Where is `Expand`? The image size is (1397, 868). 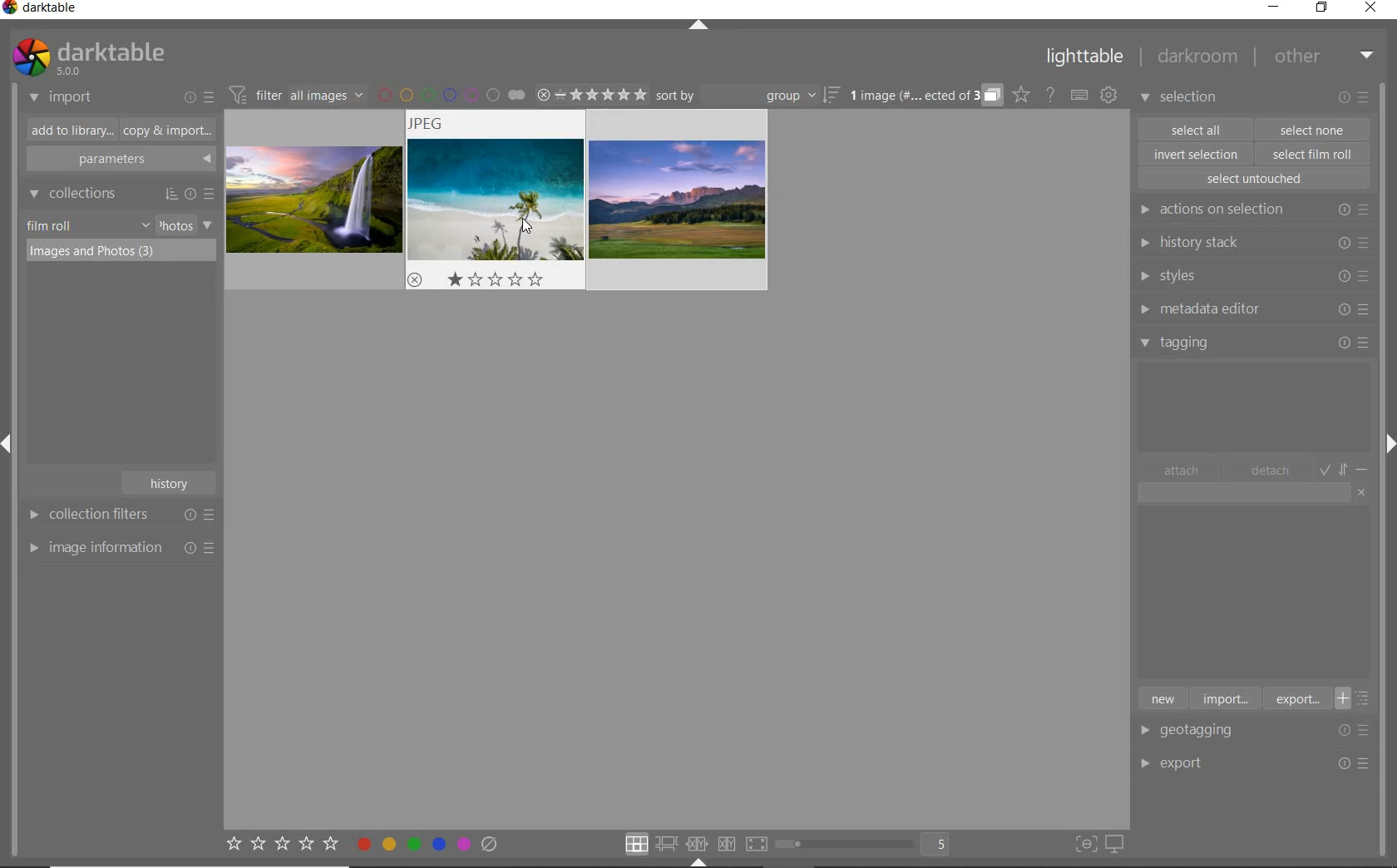
Expand is located at coordinates (1387, 440).